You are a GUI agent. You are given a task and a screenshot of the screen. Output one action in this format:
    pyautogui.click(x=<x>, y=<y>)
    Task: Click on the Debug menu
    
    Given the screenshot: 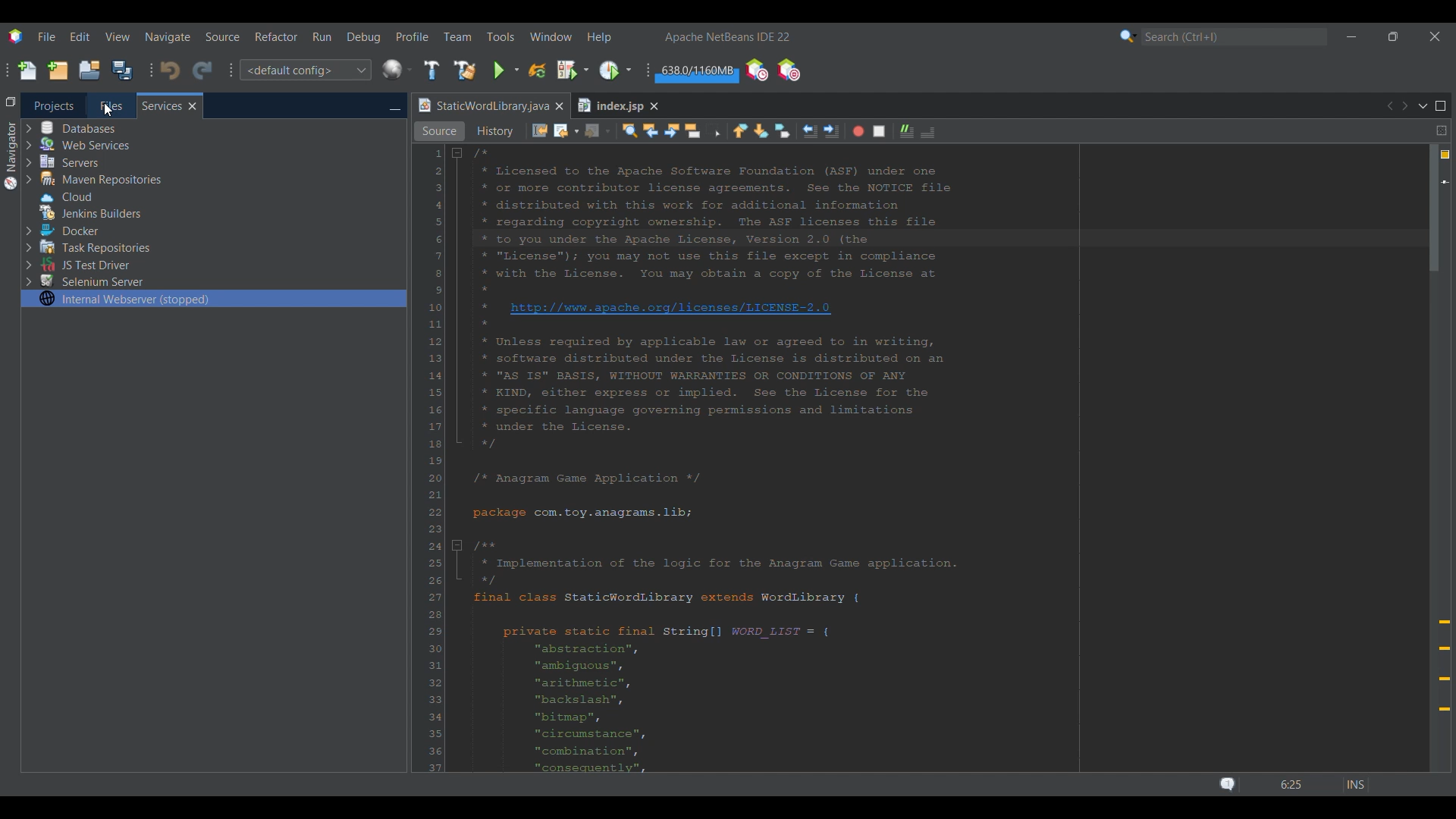 What is the action you would take?
    pyautogui.click(x=364, y=37)
    